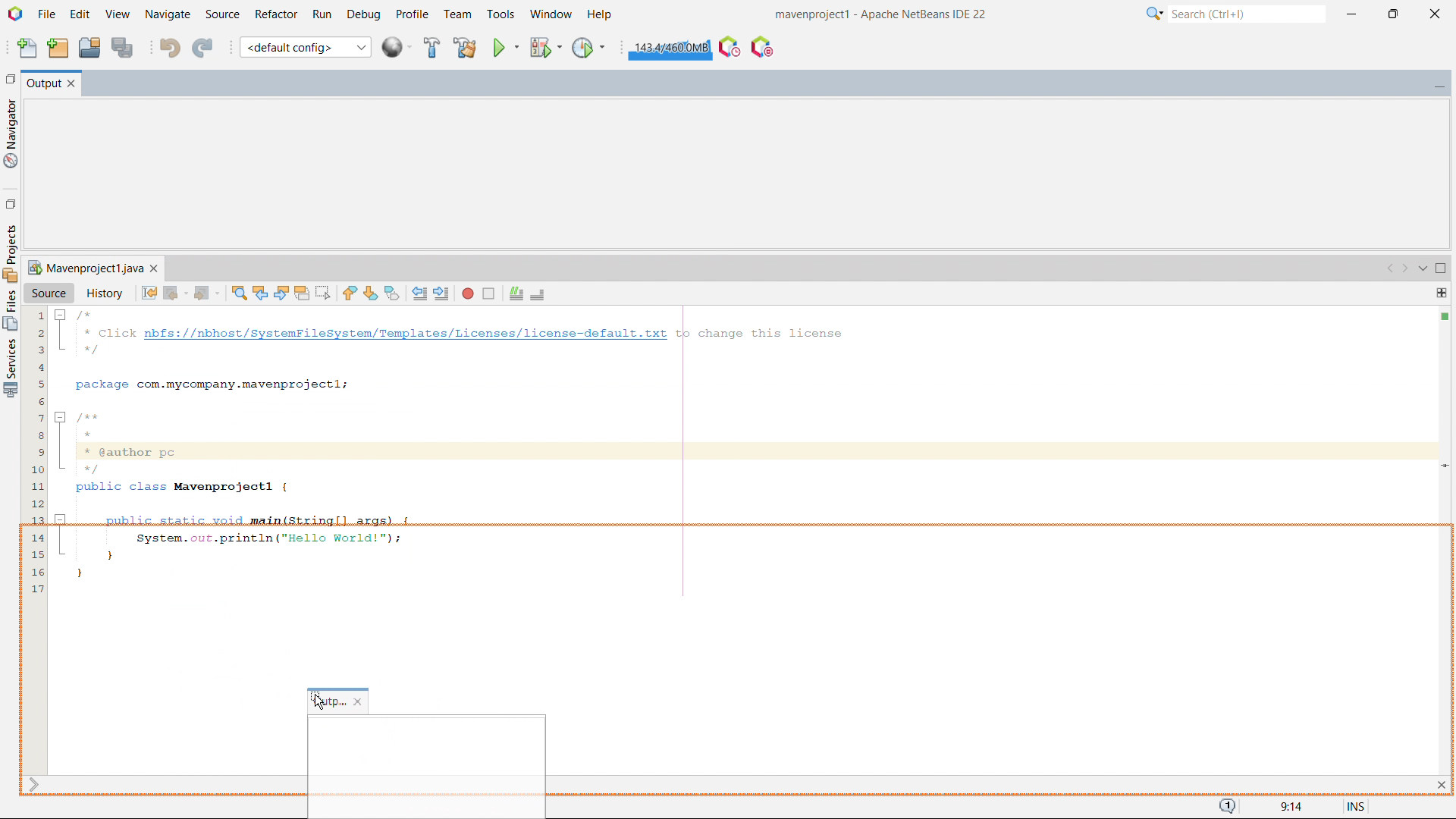 This screenshot has width=1456, height=819. What do you see at coordinates (1228, 807) in the screenshot?
I see `notification` at bounding box center [1228, 807].